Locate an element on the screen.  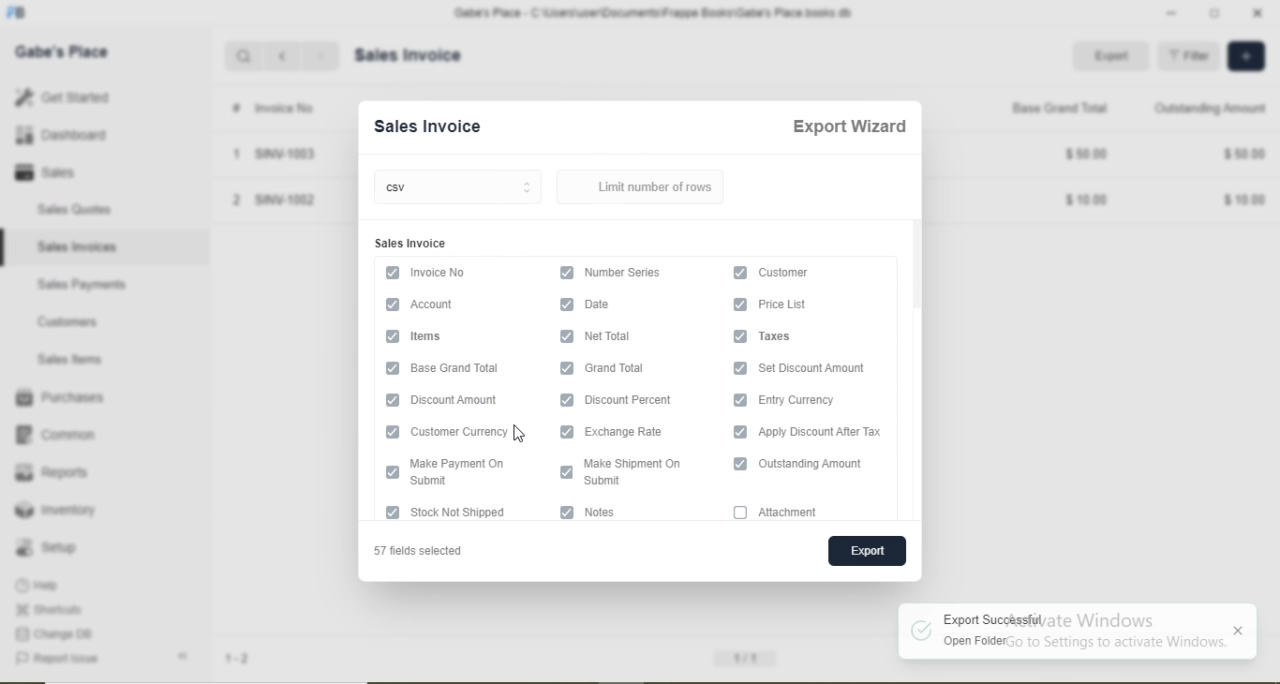
checkbox is located at coordinates (568, 273).